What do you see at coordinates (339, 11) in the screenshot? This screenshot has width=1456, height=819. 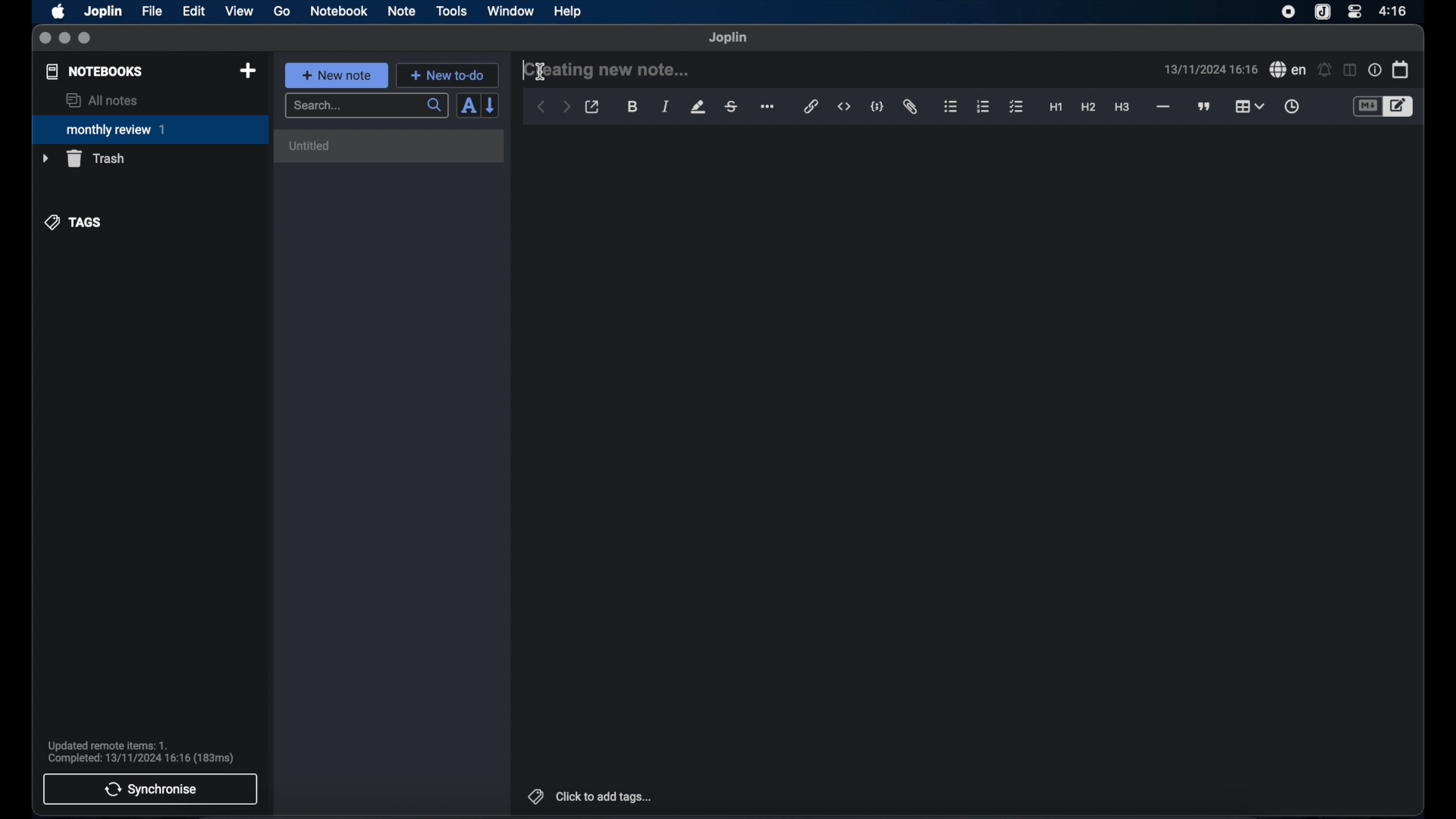 I see `notebook` at bounding box center [339, 11].